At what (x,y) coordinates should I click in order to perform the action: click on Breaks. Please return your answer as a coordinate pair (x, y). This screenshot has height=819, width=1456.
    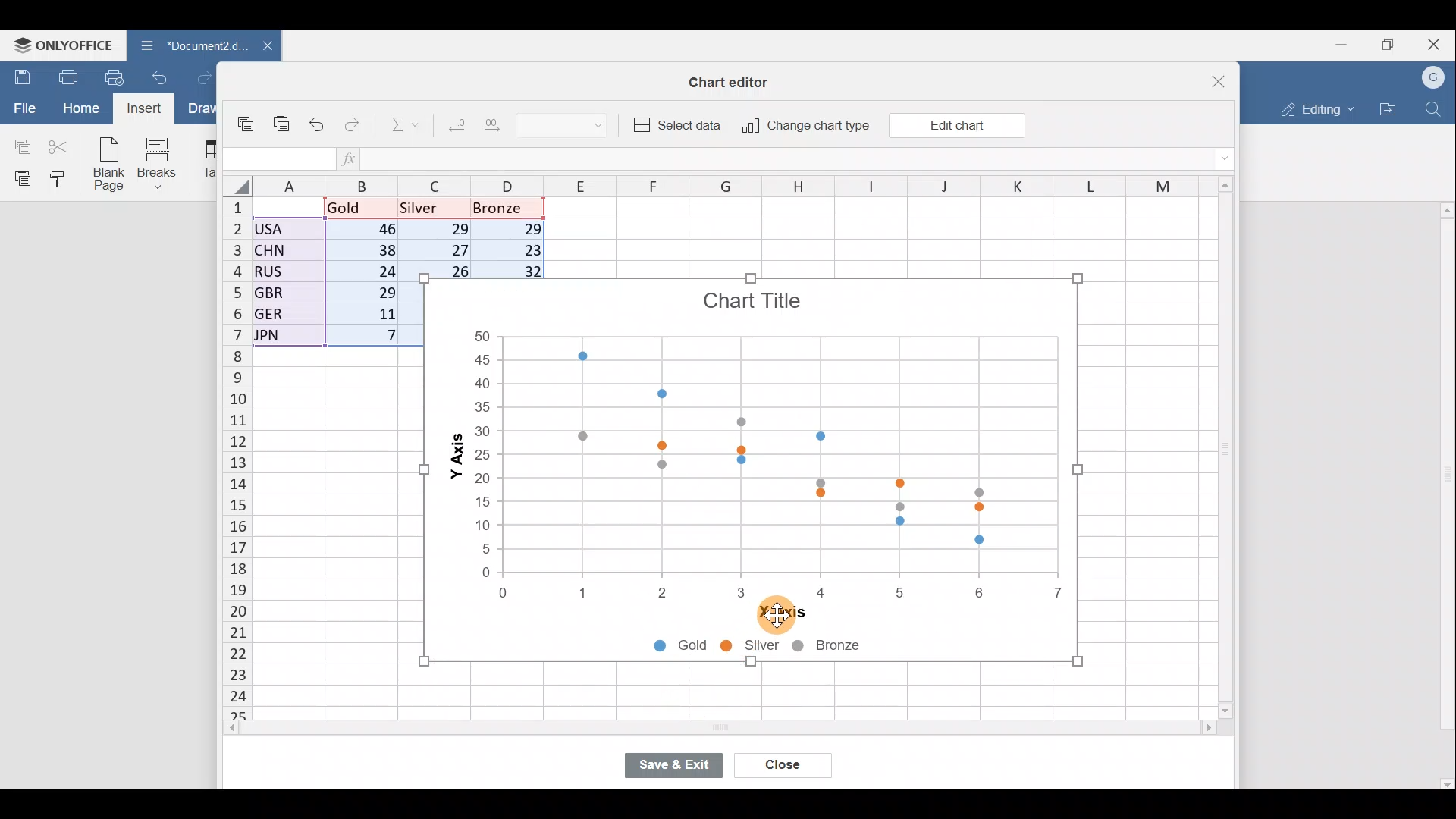
    Looking at the image, I should click on (163, 162).